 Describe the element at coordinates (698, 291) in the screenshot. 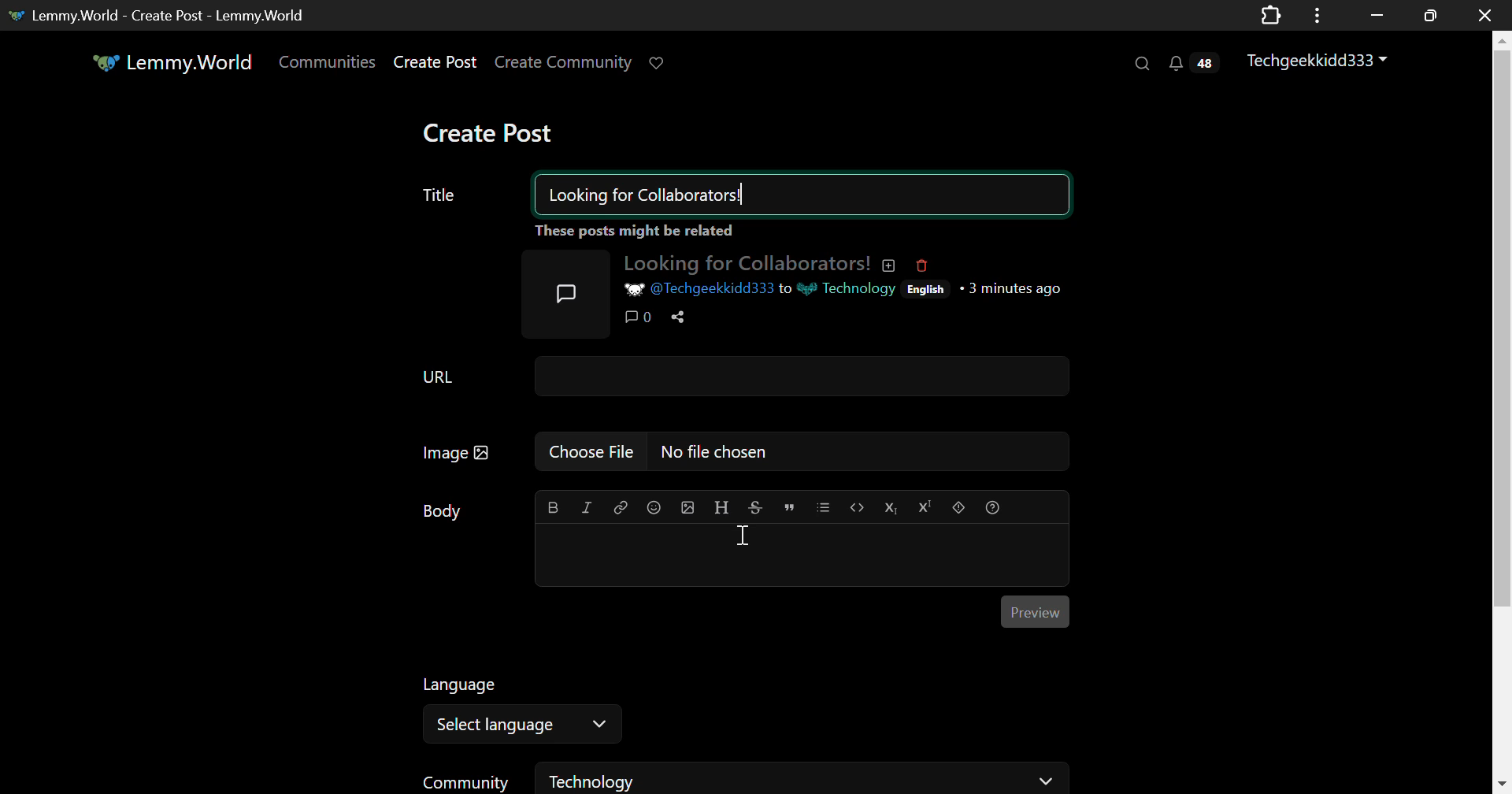

I see `@Techgeekkidd333` at that location.